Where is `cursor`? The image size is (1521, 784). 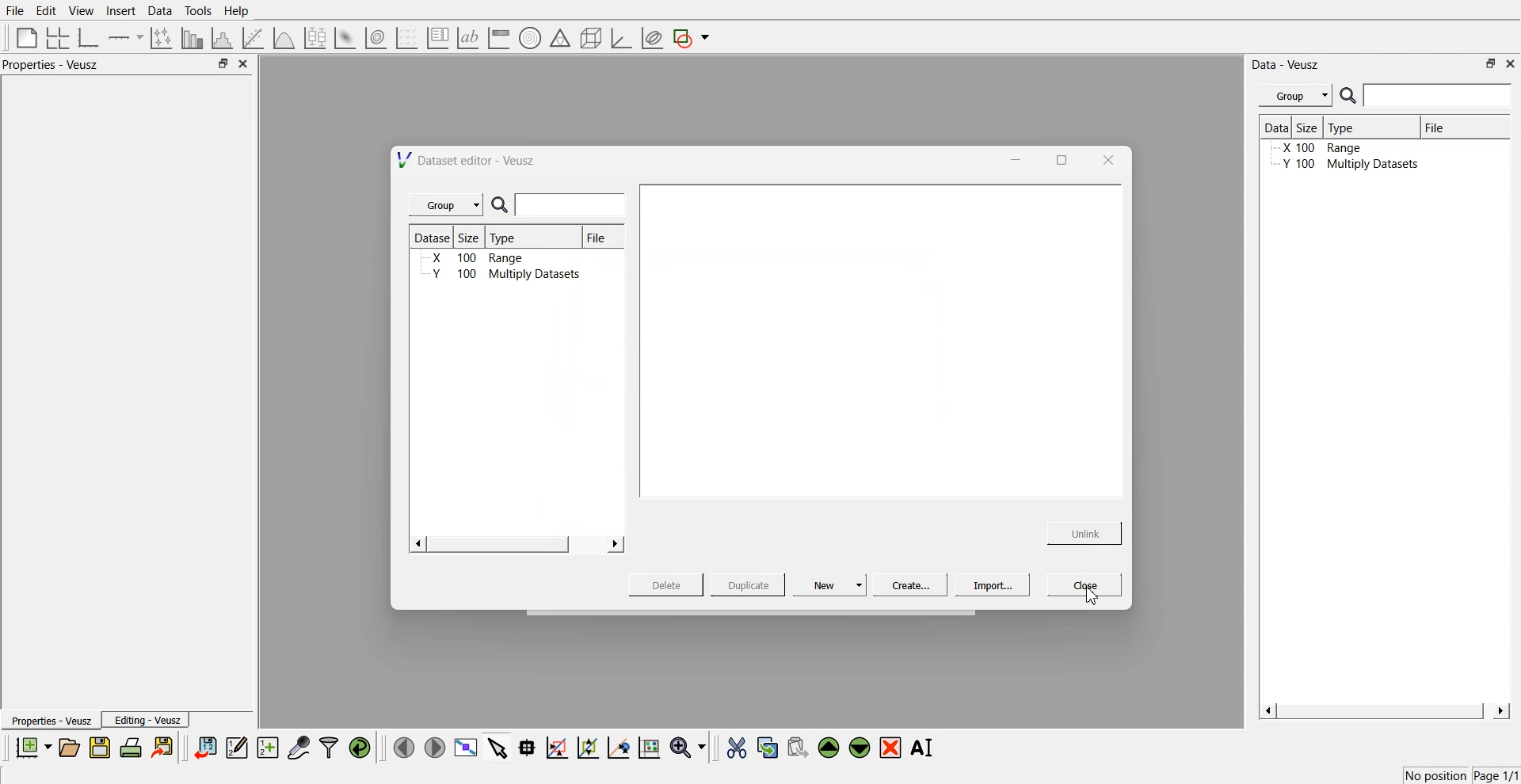
cursor is located at coordinates (1092, 596).